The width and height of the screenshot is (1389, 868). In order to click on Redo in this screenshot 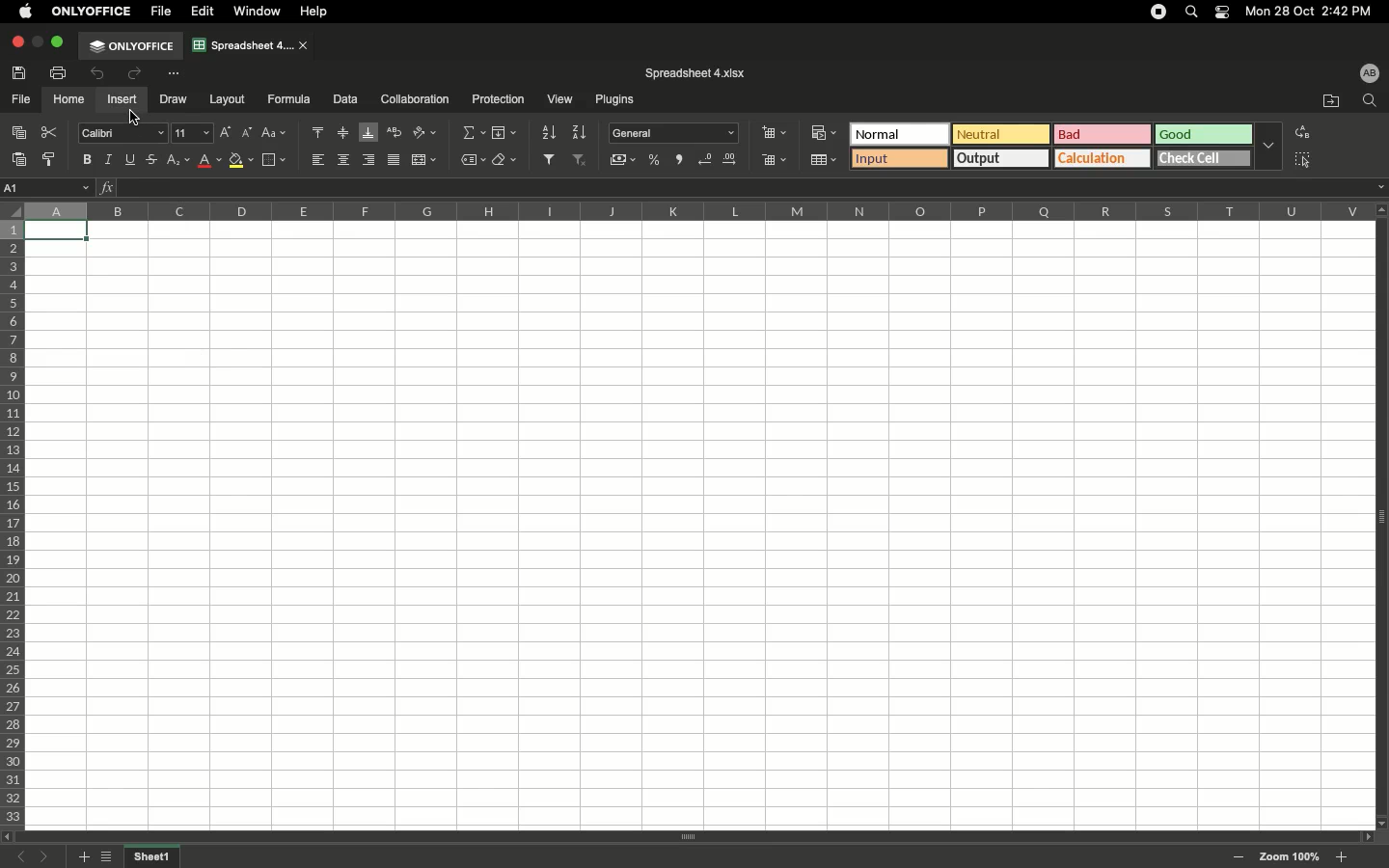, I will do `click(133, 73)`.